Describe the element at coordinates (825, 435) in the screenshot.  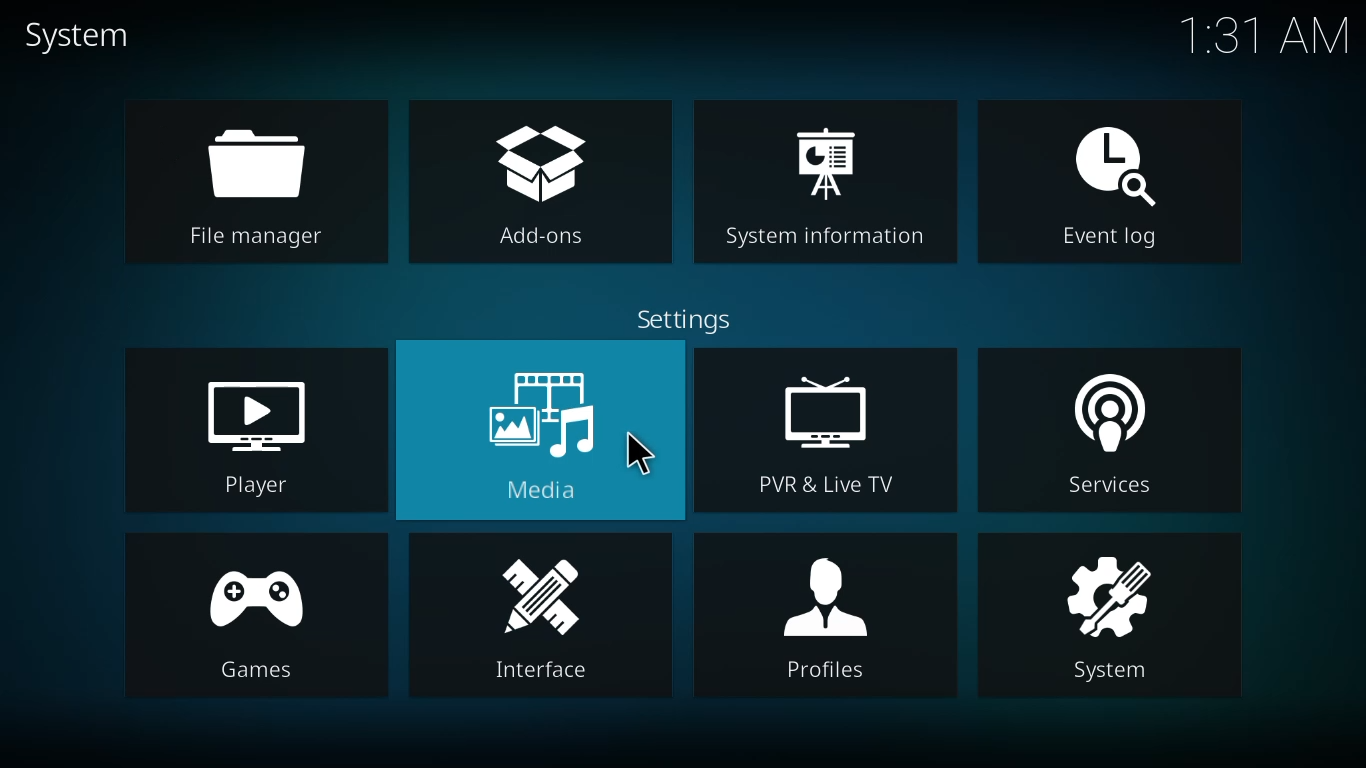
I see `pvr & live tv` at that location.